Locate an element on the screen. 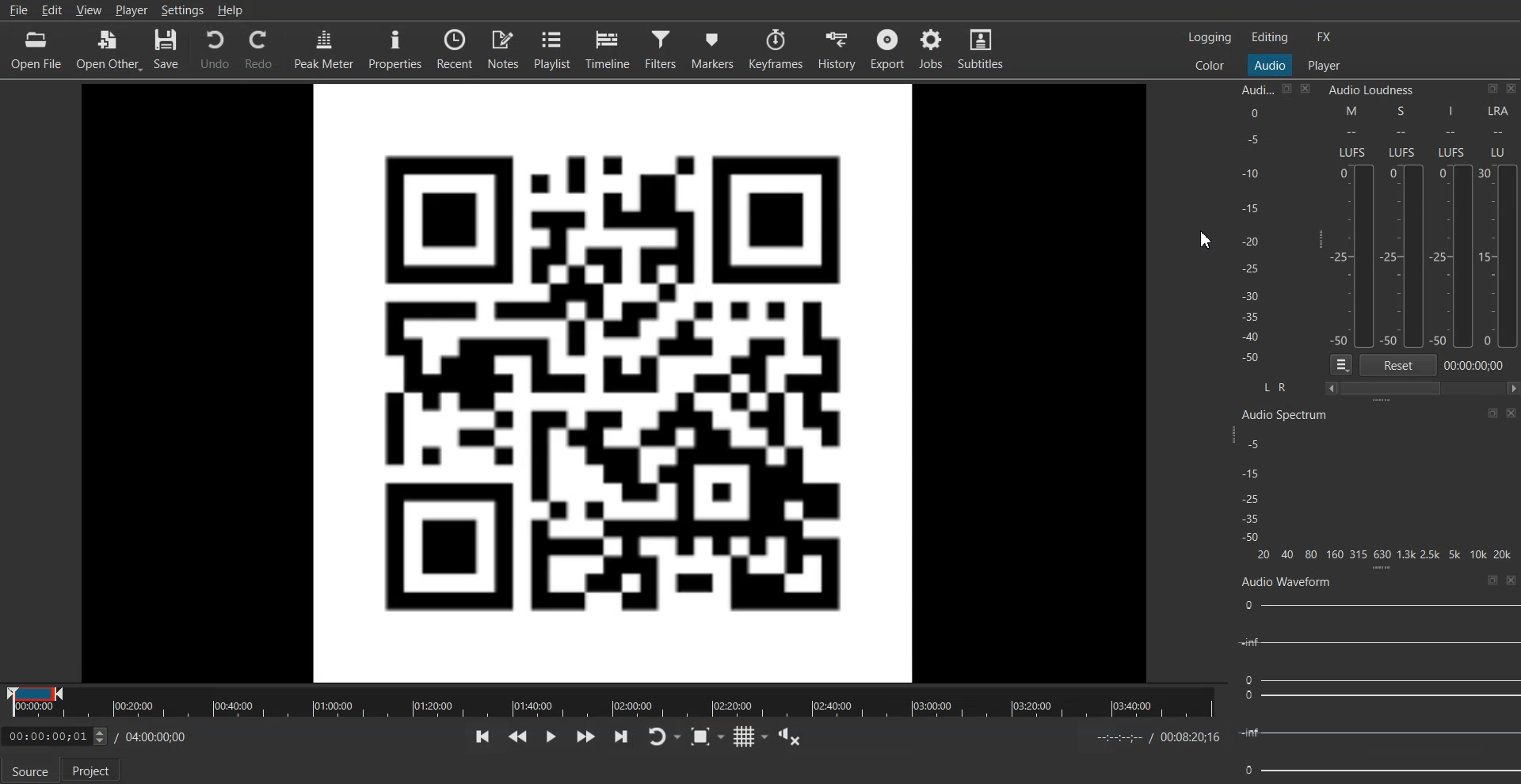 The image size is (1521, 784). Close is located at coordinates (1511, 89).